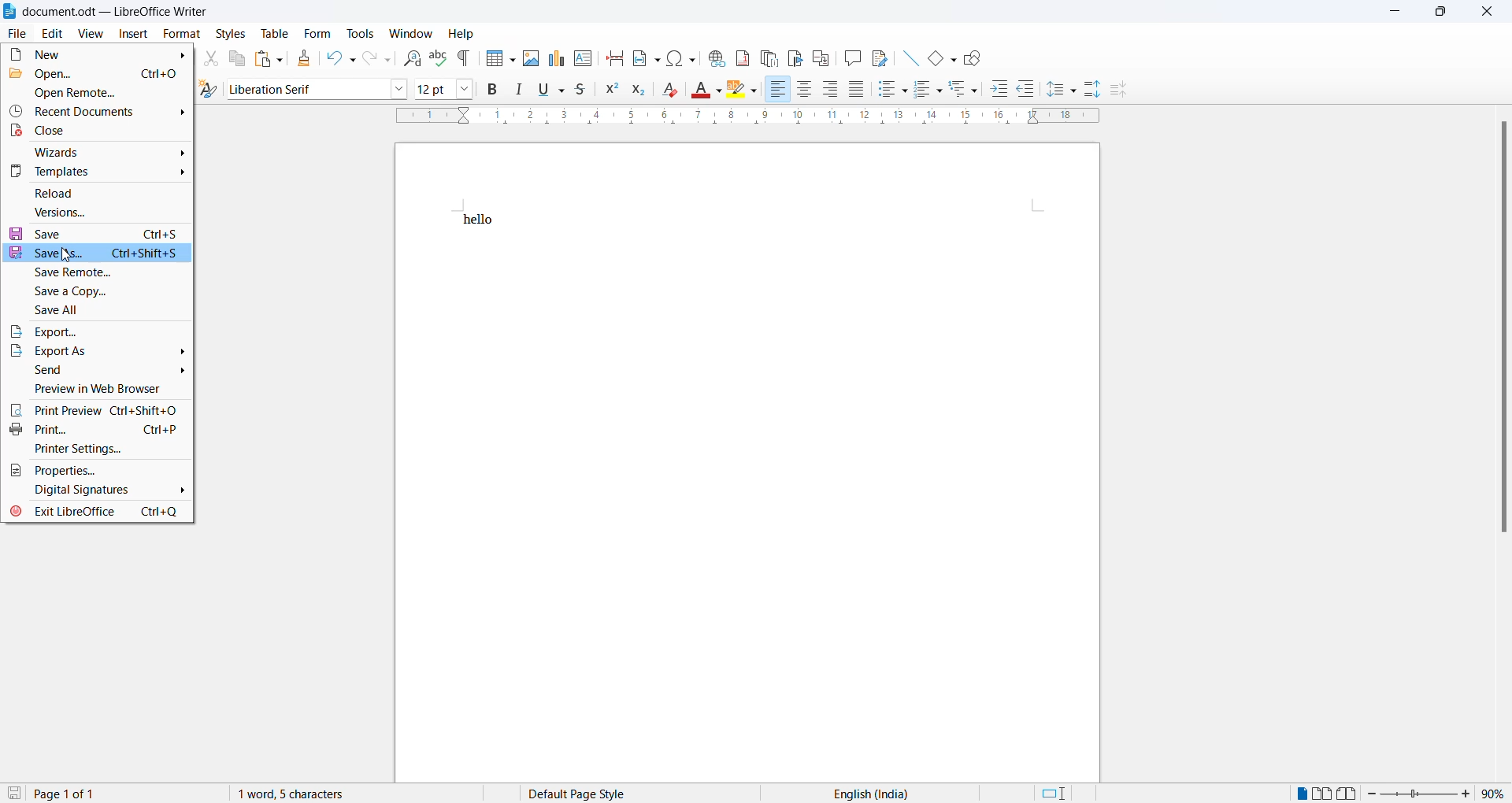 This screenshot has height=803, width=1512. Describe the element at coordinates (229, 34) in the screenshot. I see `styles` at that location.